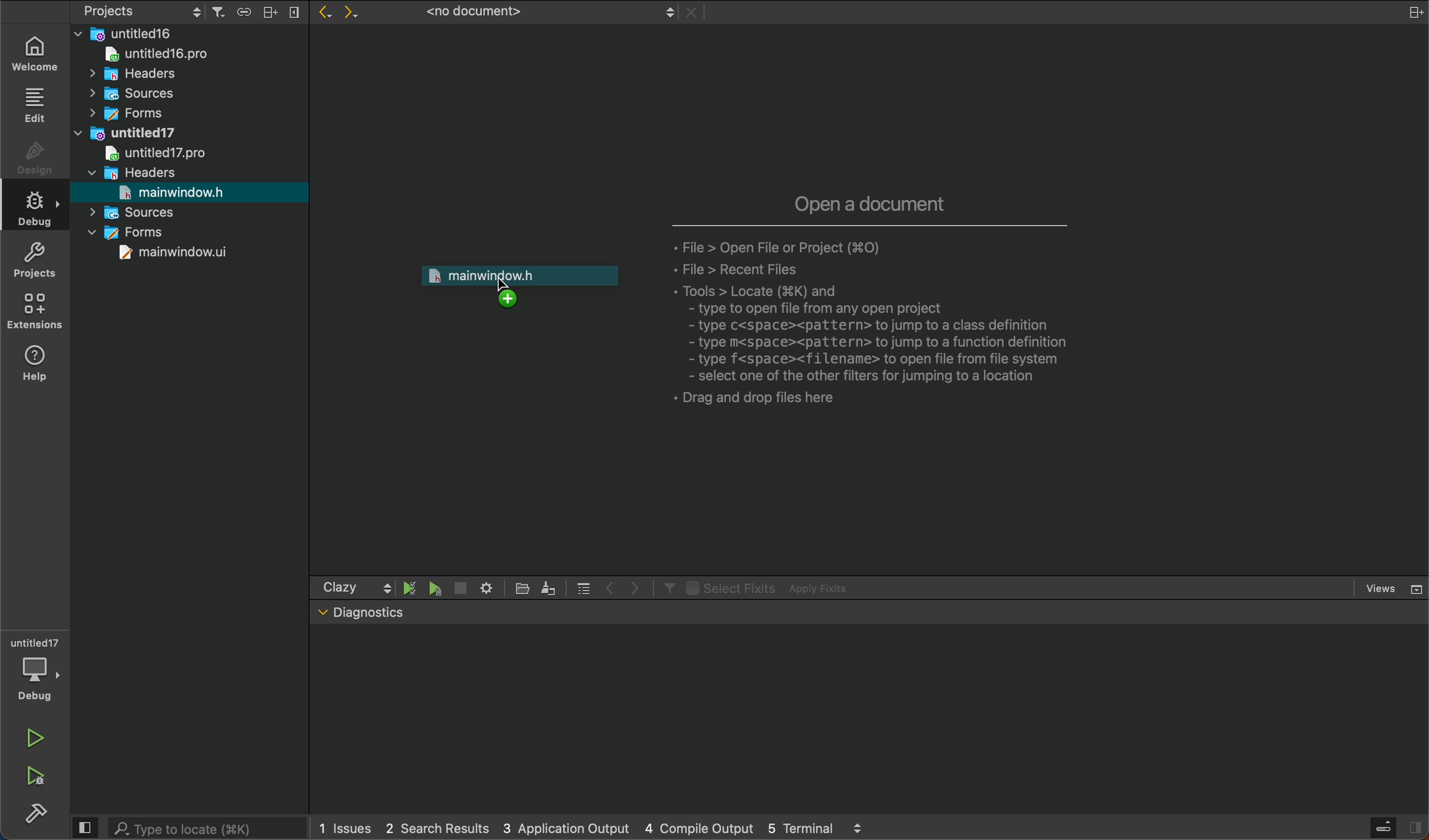 The height and width of the screenshot is (840, 1429). What do you see at coordinates (859, 828) in the screenshot?
I see `Logs` at bounding box center [859, 828].